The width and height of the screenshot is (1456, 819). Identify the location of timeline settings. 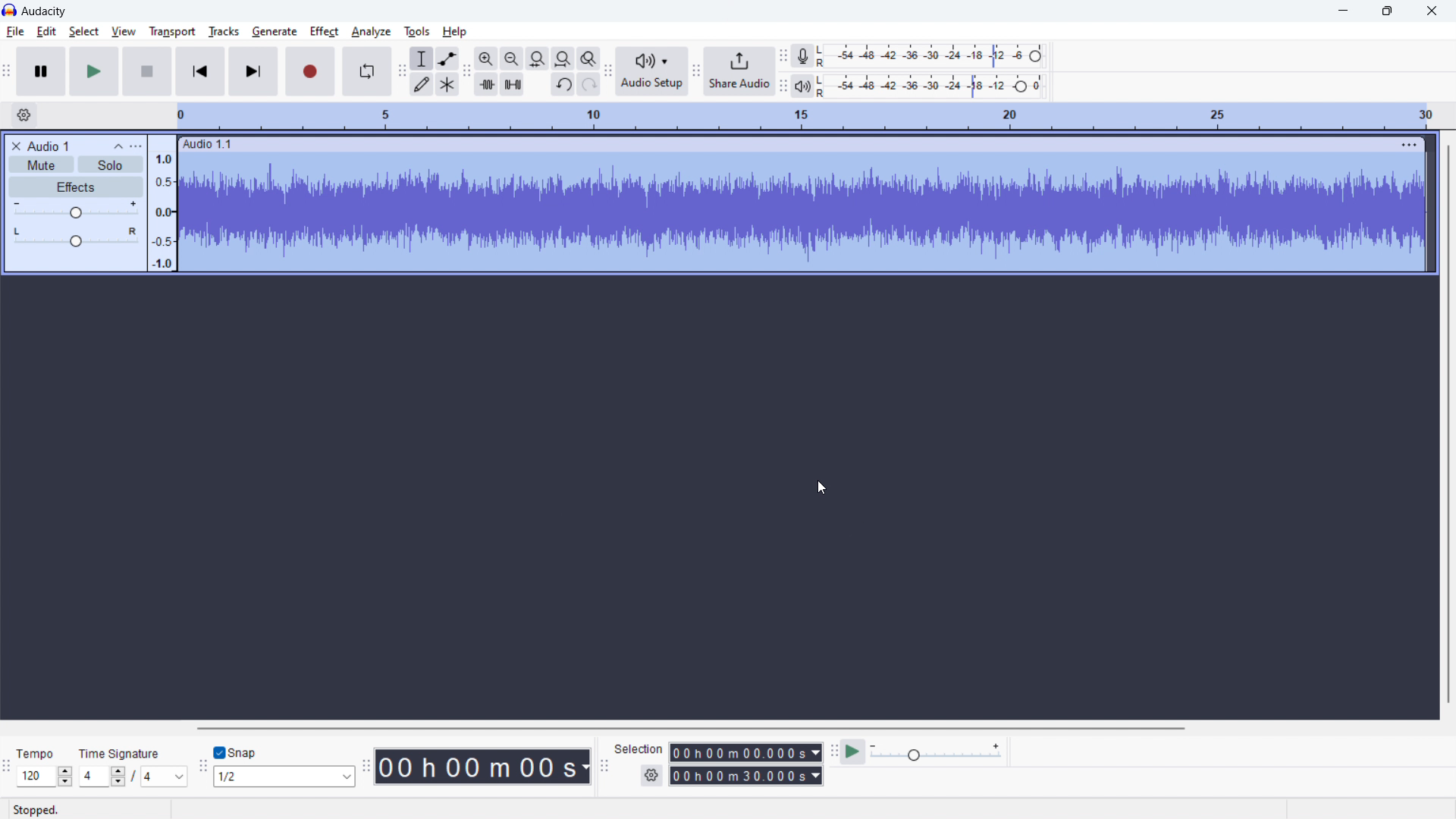
(23, 116).